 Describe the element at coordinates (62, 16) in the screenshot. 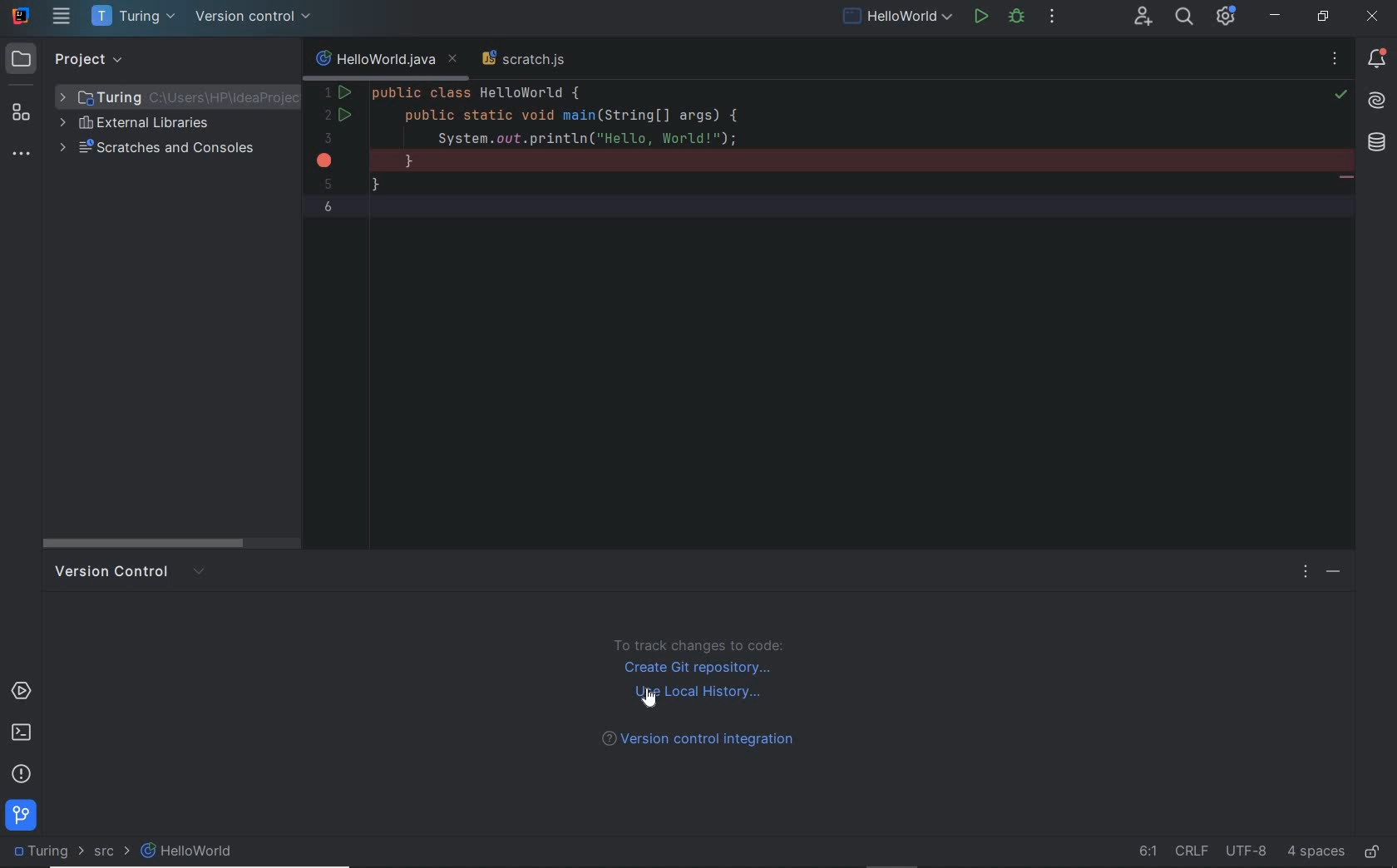

I see `main menu` at that location.